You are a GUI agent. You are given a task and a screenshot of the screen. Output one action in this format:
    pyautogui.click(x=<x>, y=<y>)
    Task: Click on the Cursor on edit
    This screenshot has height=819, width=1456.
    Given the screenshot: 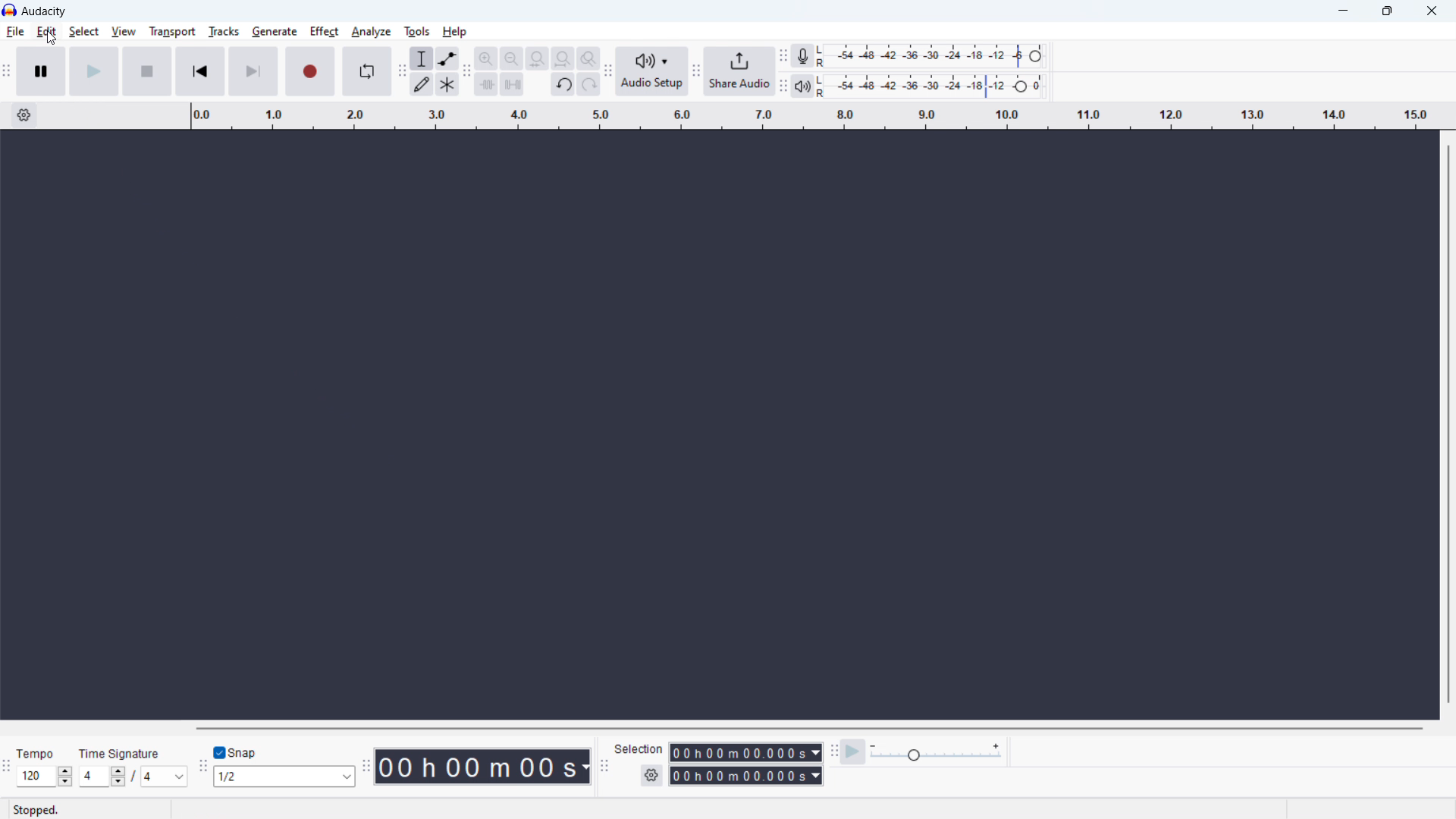 What is the action you would take?
    pyautogui.click(x=48, y=32)
    